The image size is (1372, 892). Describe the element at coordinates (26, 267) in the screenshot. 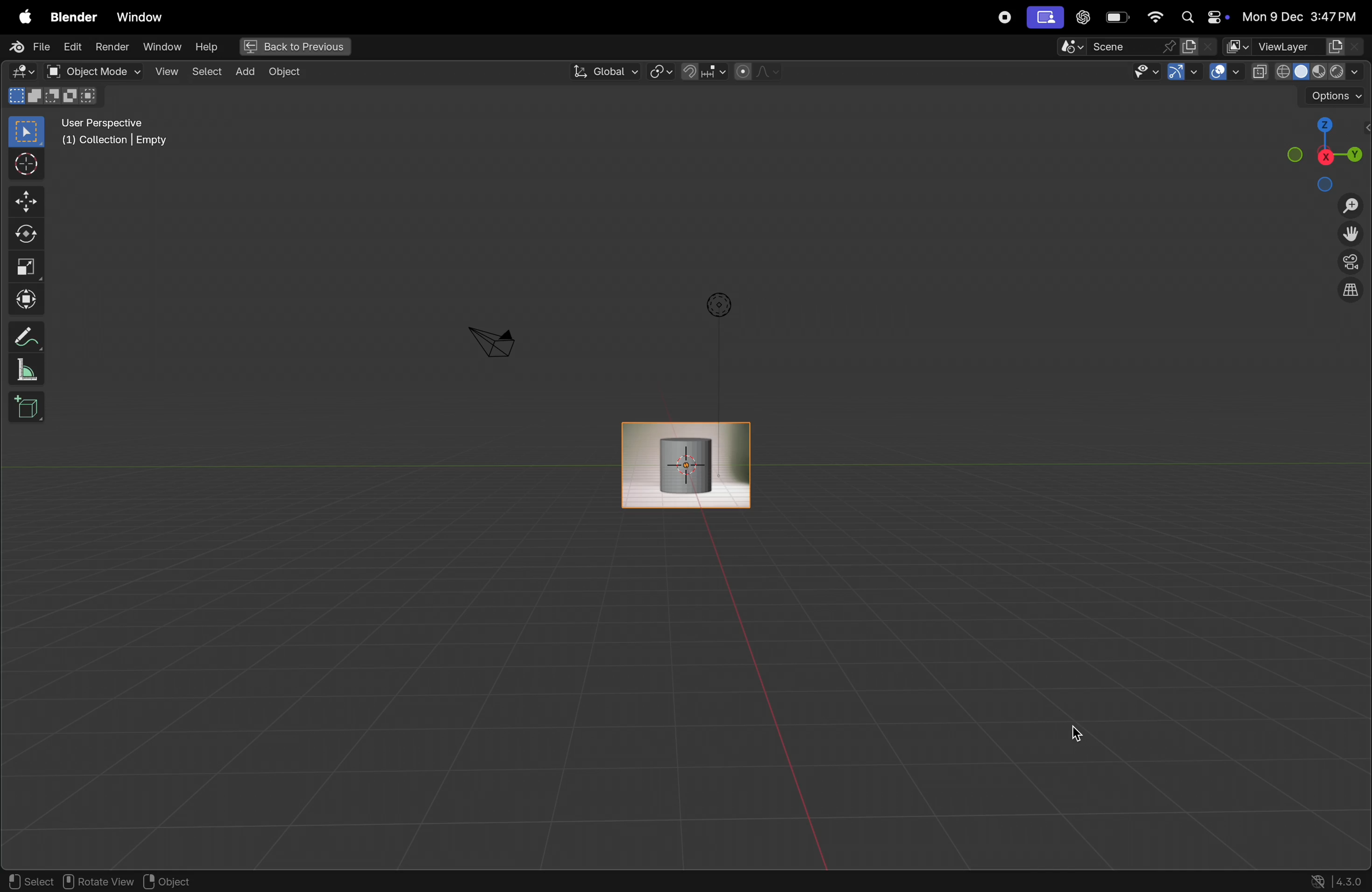

I see `scale` at that location.